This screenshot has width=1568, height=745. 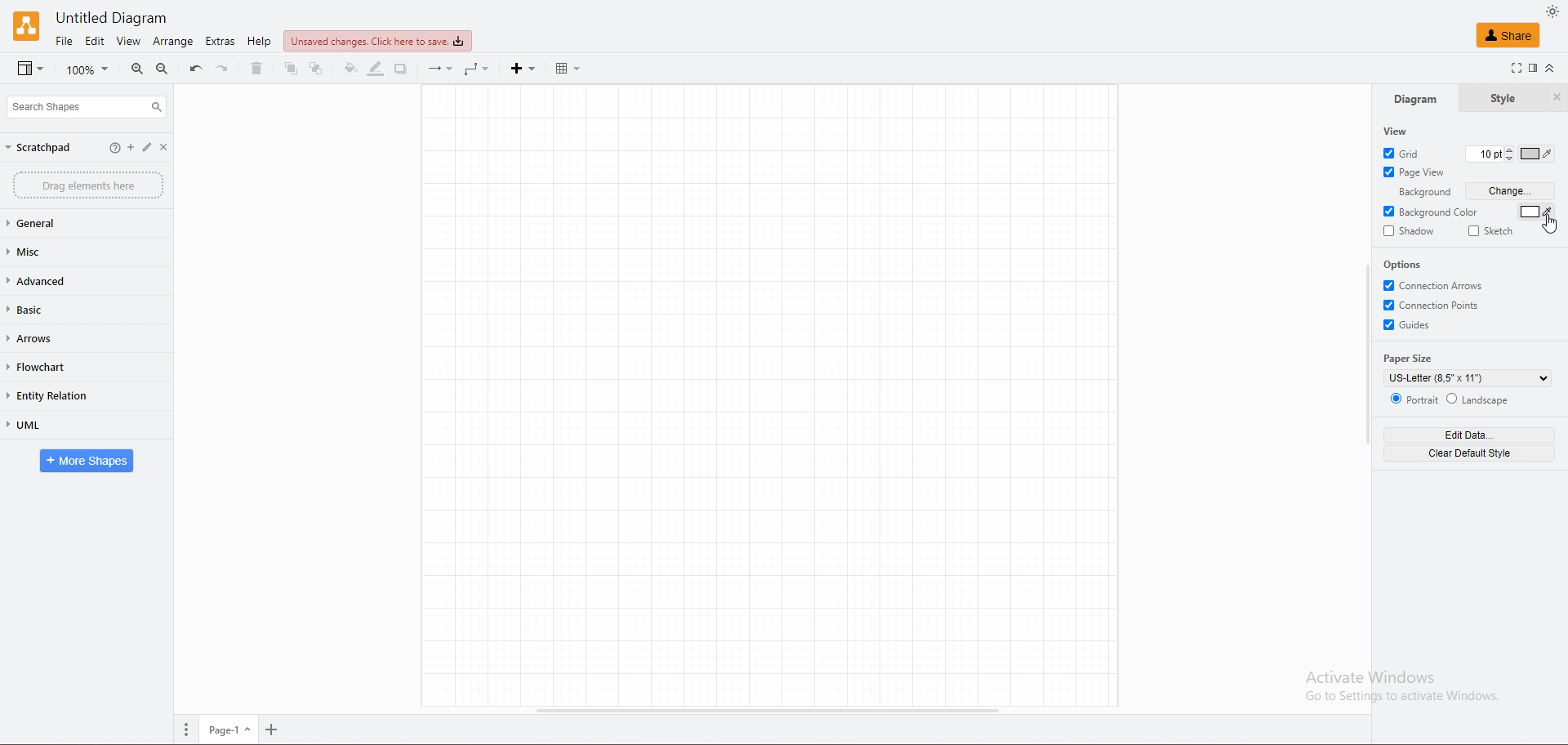 I want to click on file, so click(x=65, y=41).